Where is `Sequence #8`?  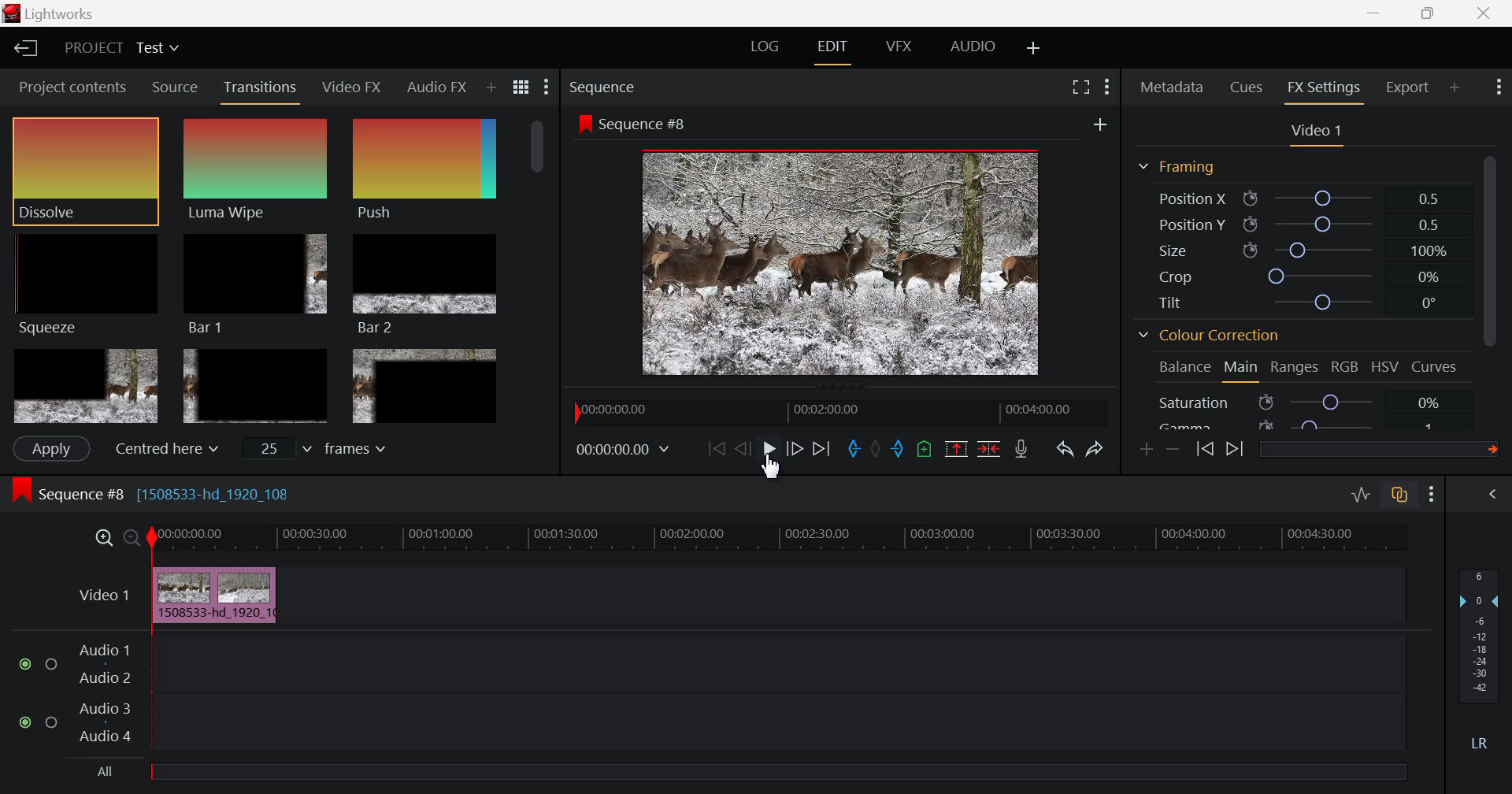 Sequence #8 is located at coordinates (632, 124).